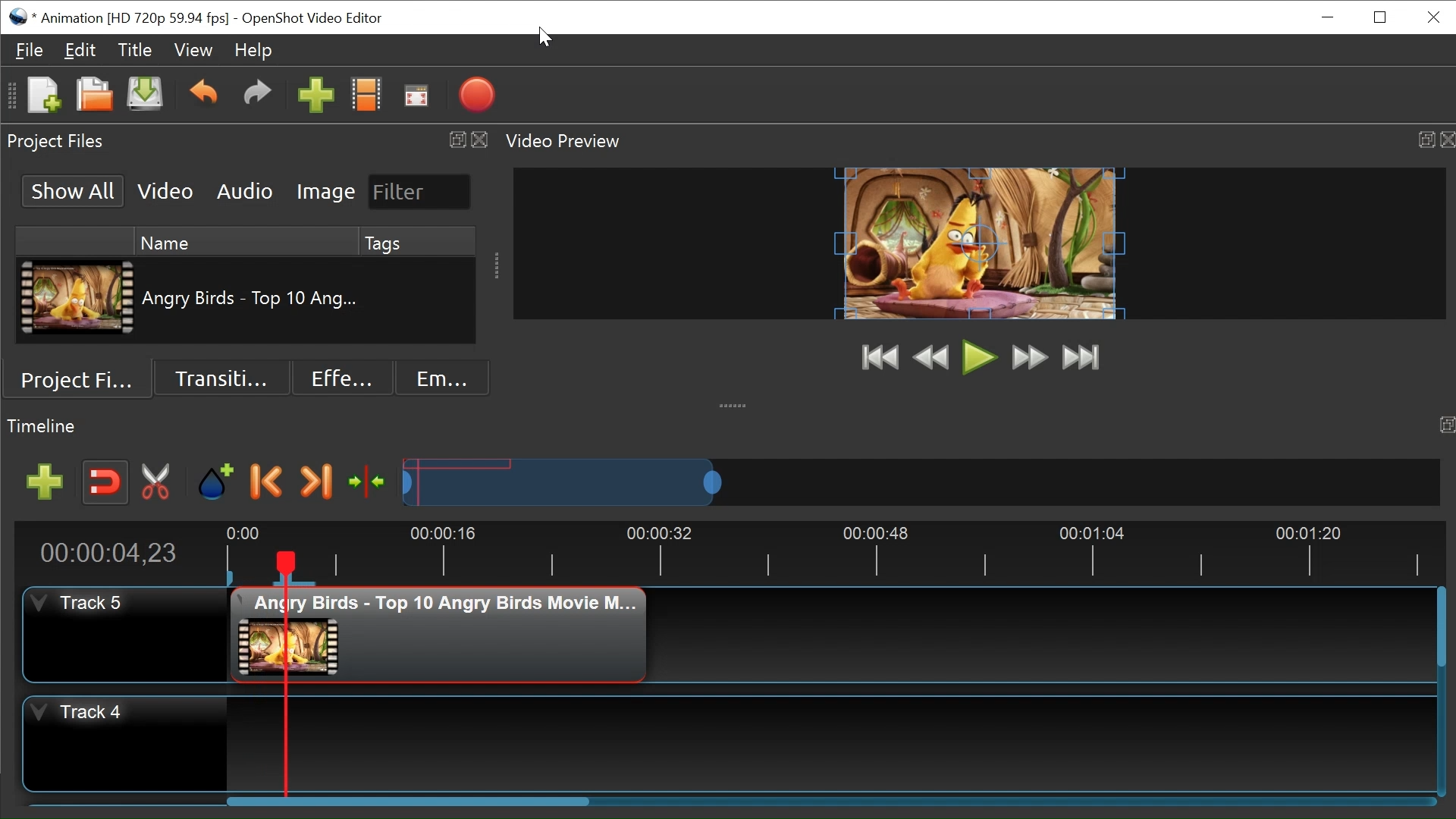 Image resolution: width=1456 pixels, height=819 pixels. I want to click on Jump to Last, so click(1081, 358).